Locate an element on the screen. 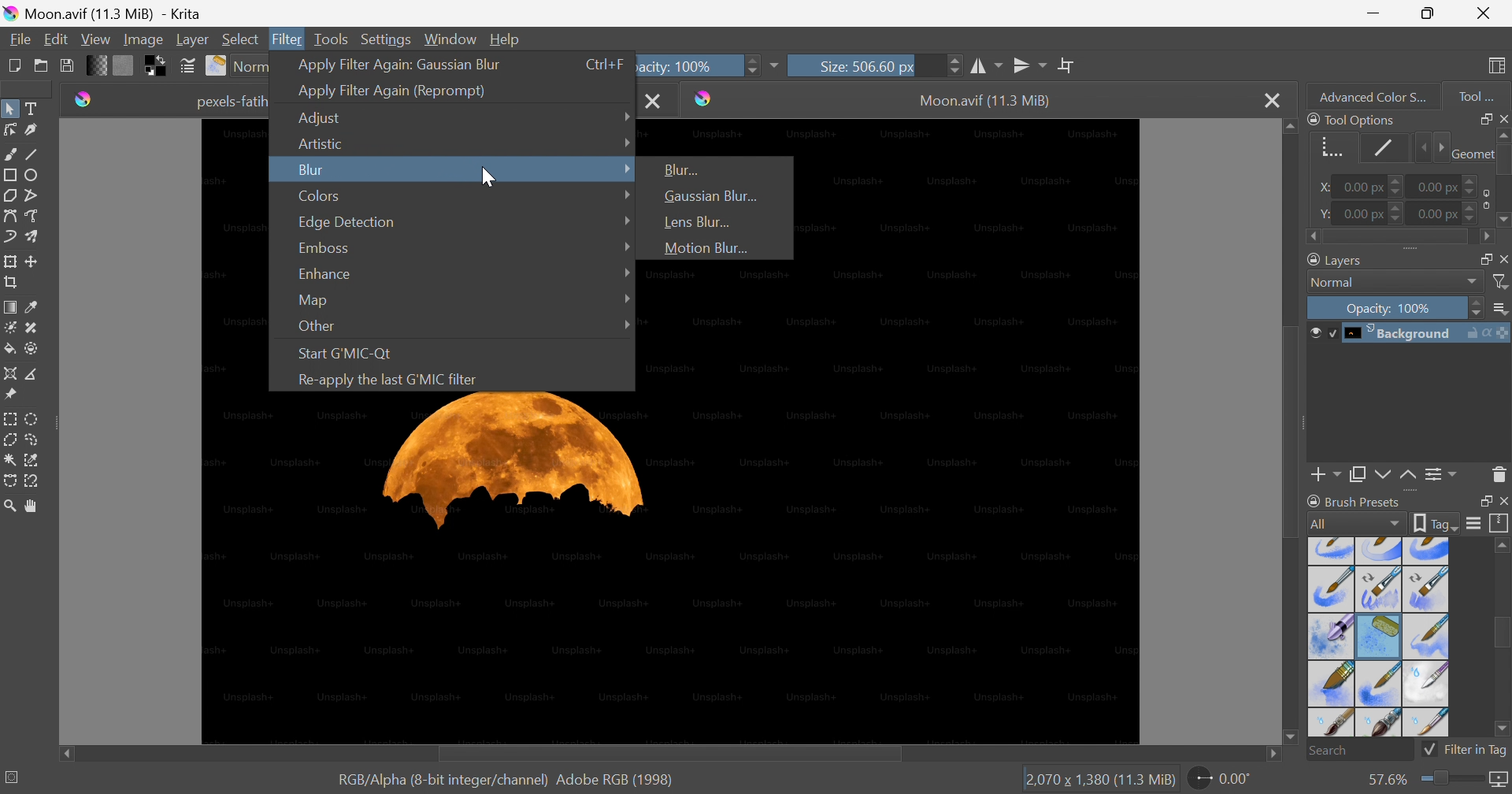  Re-apply the last G'MIC filter is located at coordinates (391, 381).